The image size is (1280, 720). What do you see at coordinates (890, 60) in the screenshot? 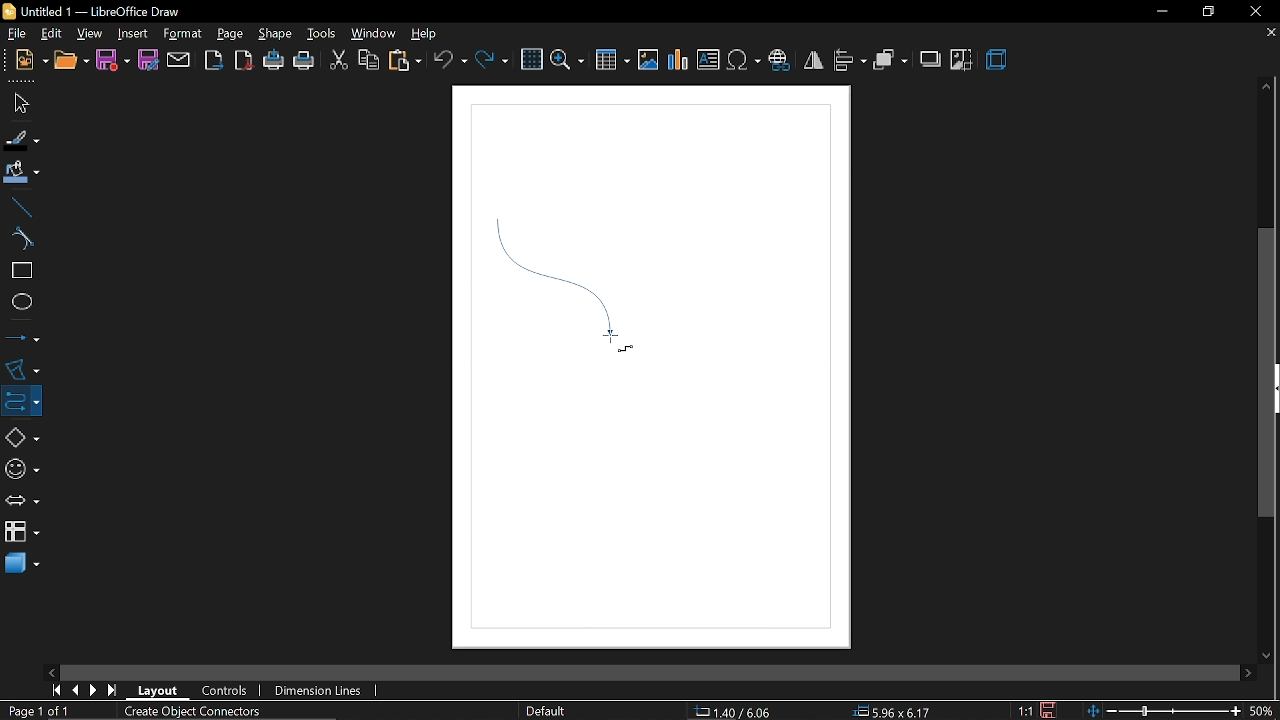
I see `arrange` at bounding box center [890, 60].